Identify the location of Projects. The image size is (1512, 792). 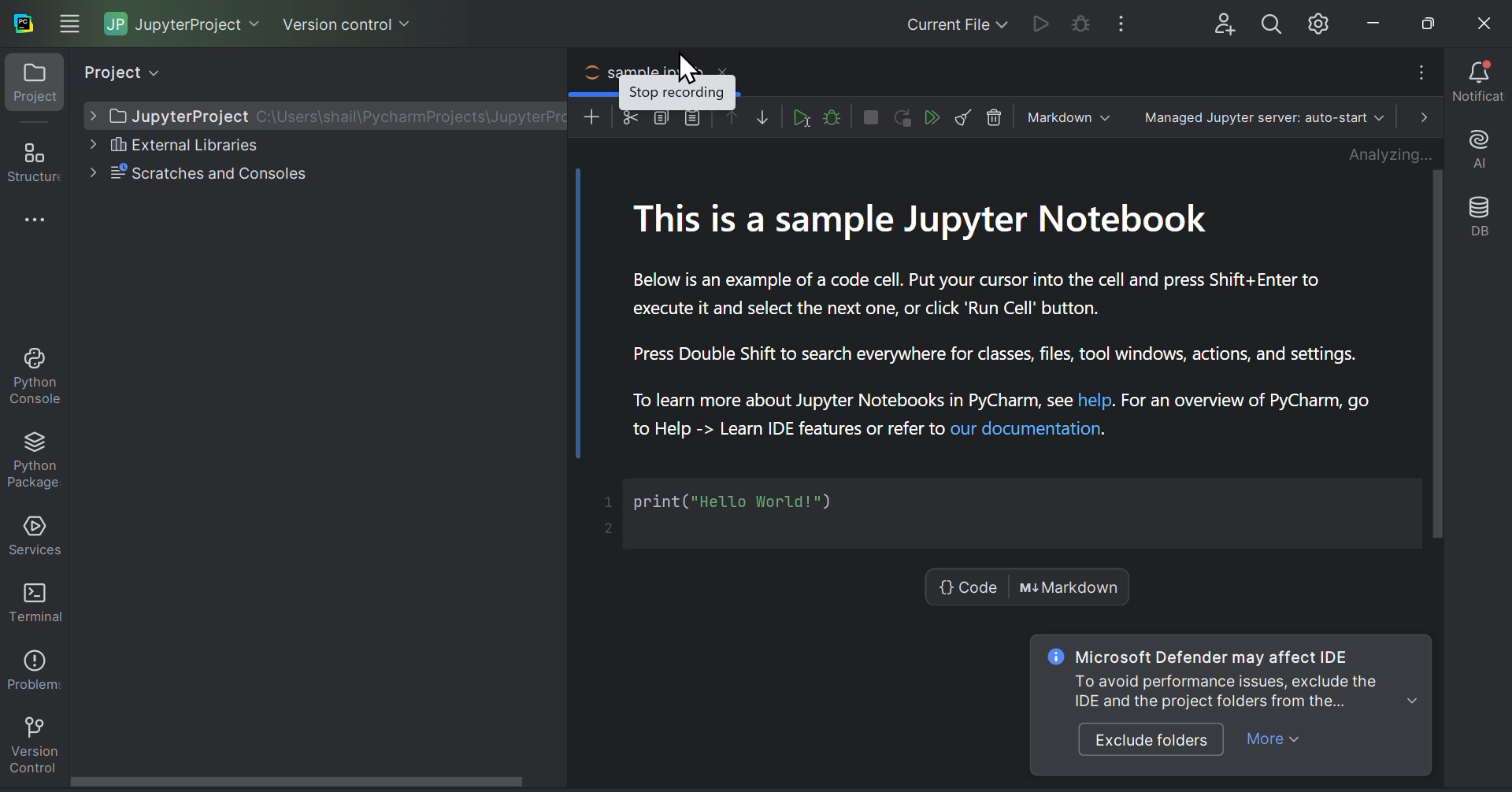
(29, 87).